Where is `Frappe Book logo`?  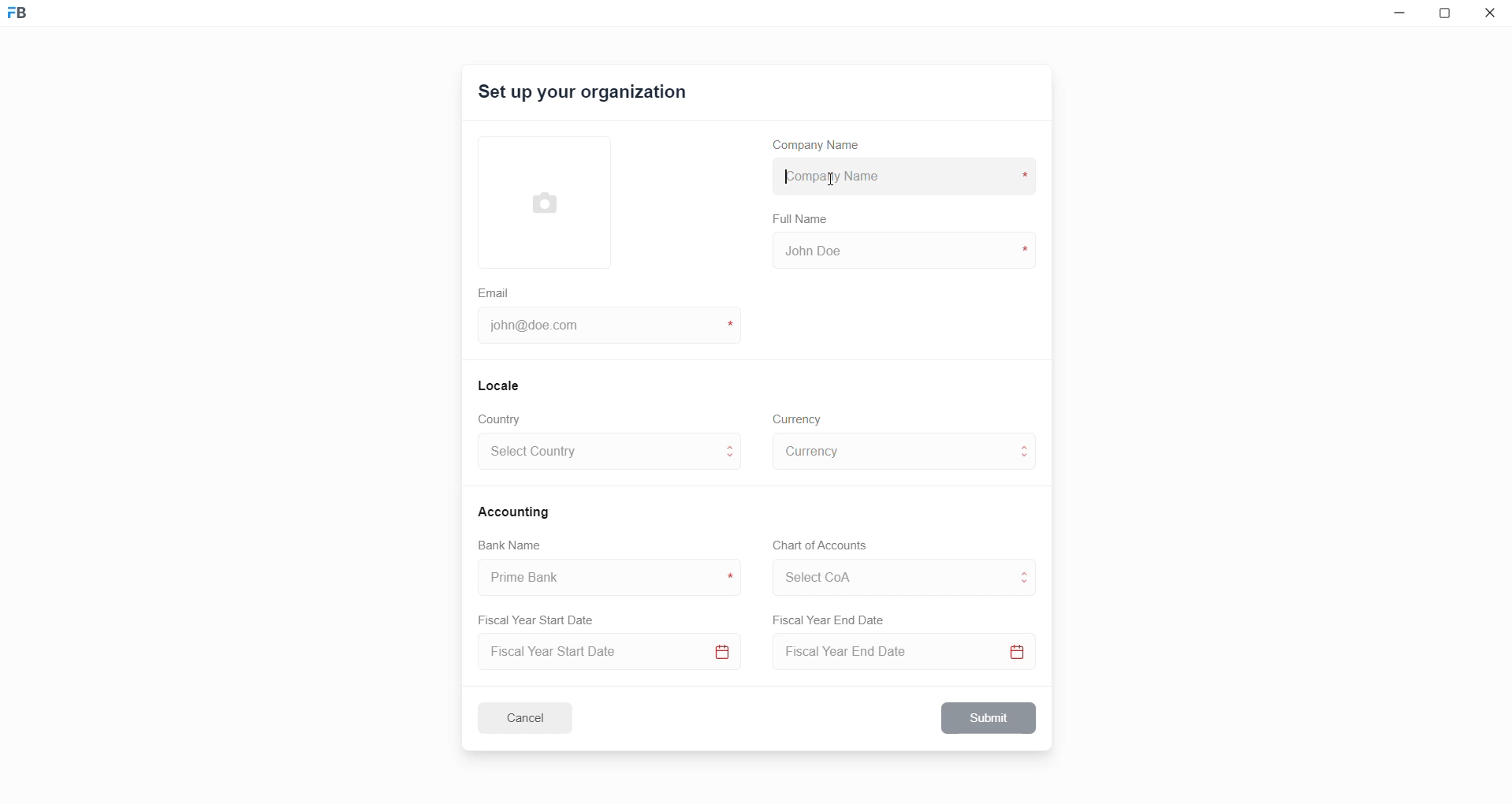 Frappe Book logo is located at coordinates (31, 20).